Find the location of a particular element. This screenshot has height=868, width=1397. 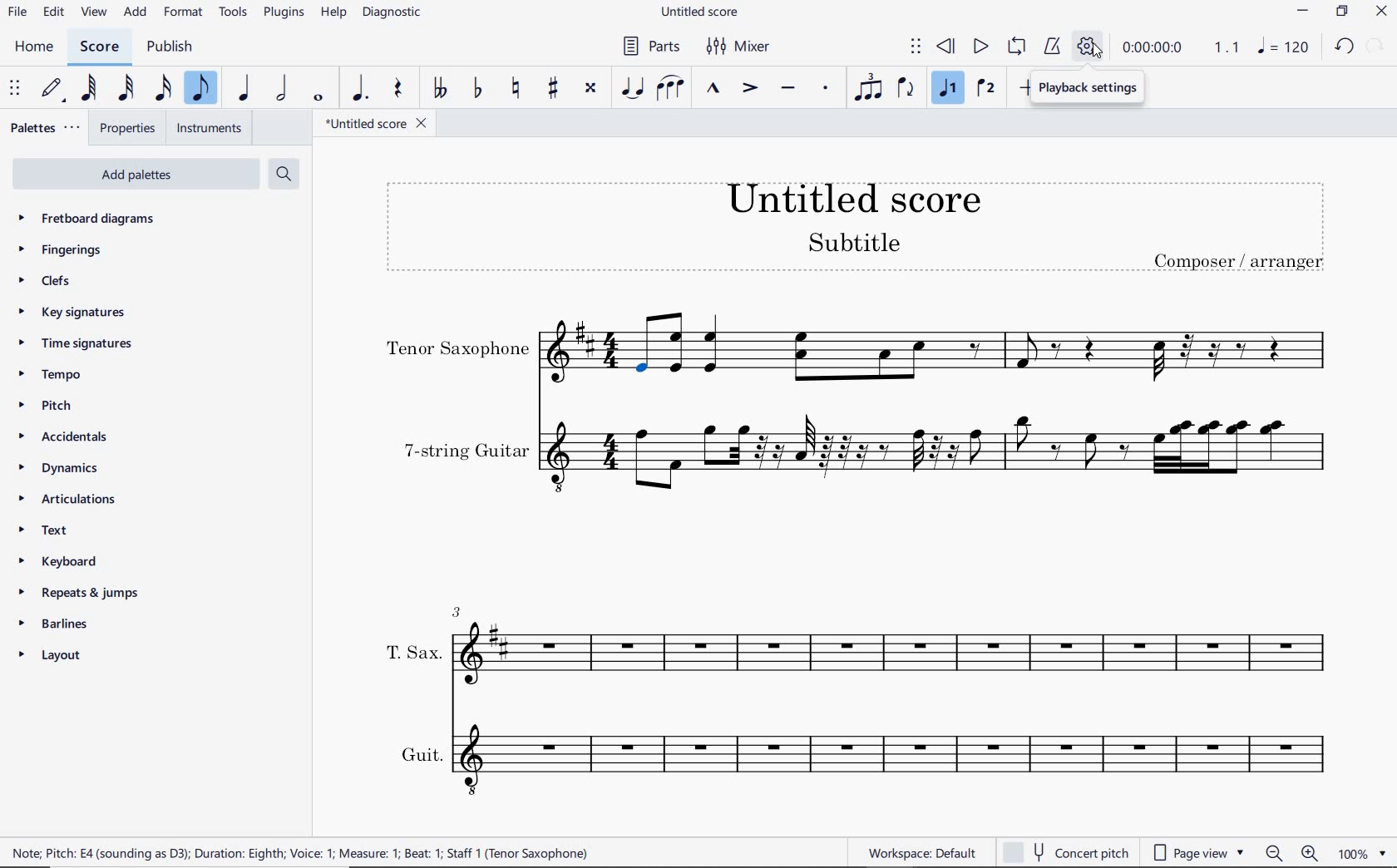

BARLINES is located at coordinates (55, 627).